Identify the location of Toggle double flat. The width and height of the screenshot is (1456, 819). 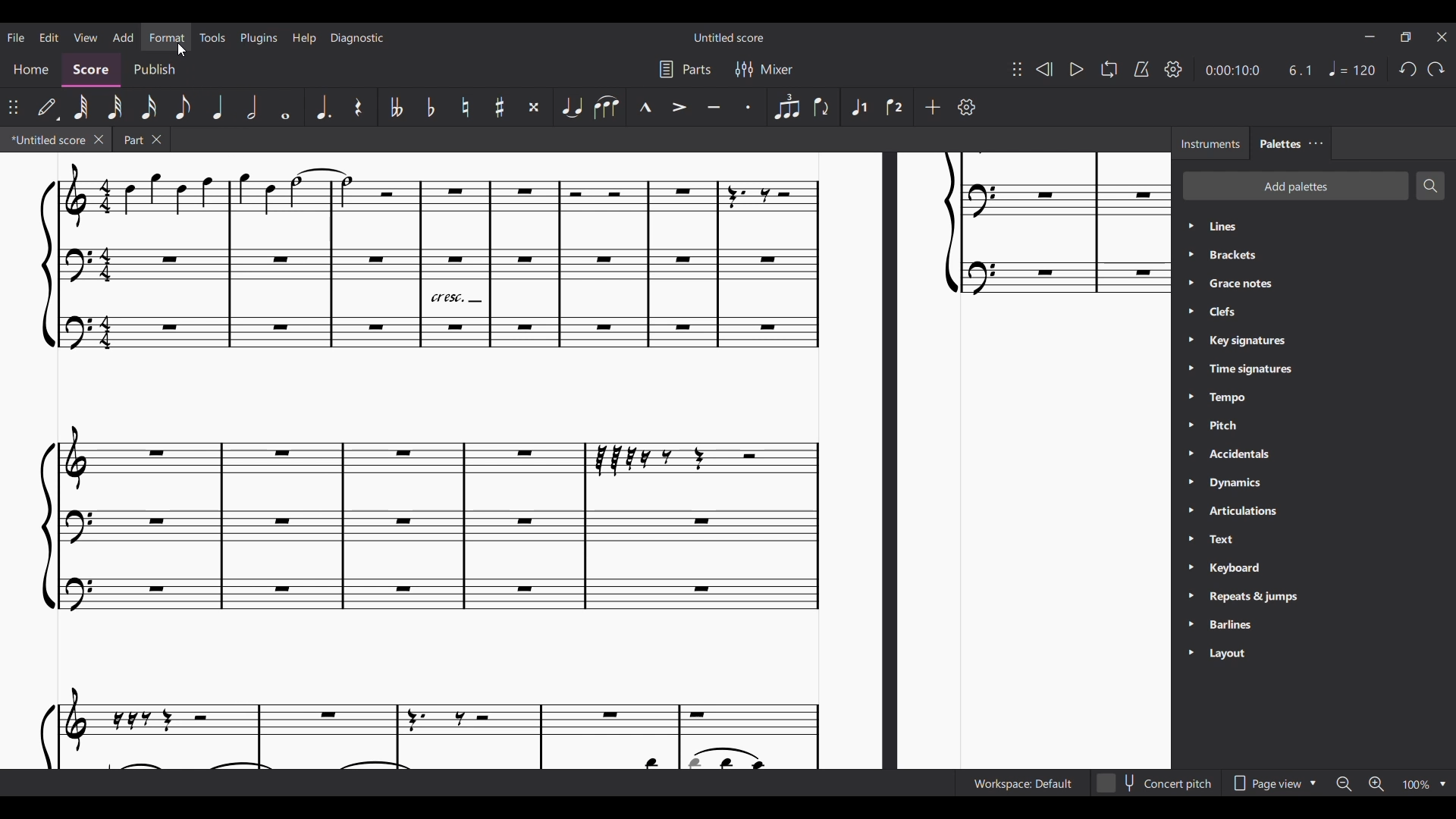
(396, 107).